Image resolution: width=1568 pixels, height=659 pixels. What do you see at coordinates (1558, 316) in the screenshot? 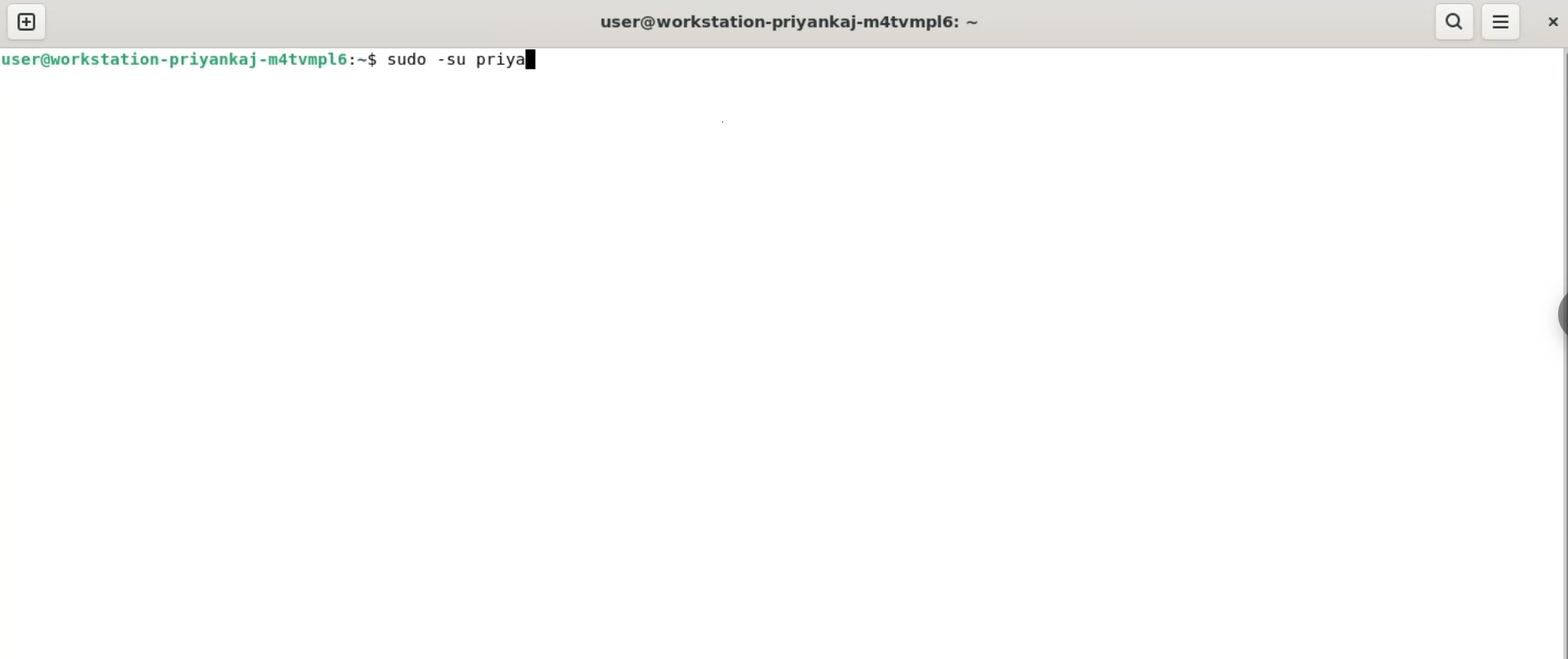
I see `sidebar` at bounding box center [1558, 316].